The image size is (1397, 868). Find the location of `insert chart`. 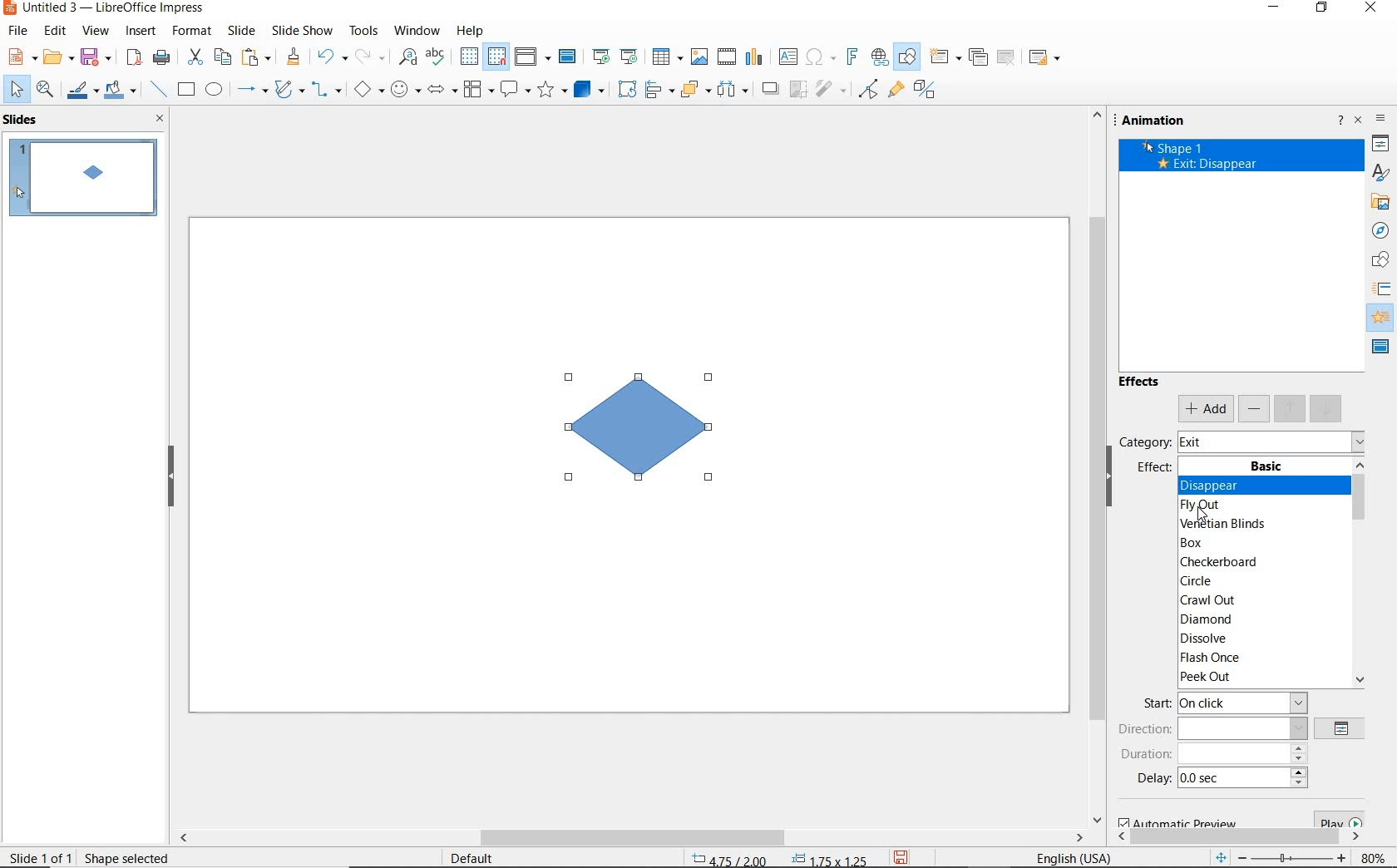

insert chart is located at coordinates (753, 58).